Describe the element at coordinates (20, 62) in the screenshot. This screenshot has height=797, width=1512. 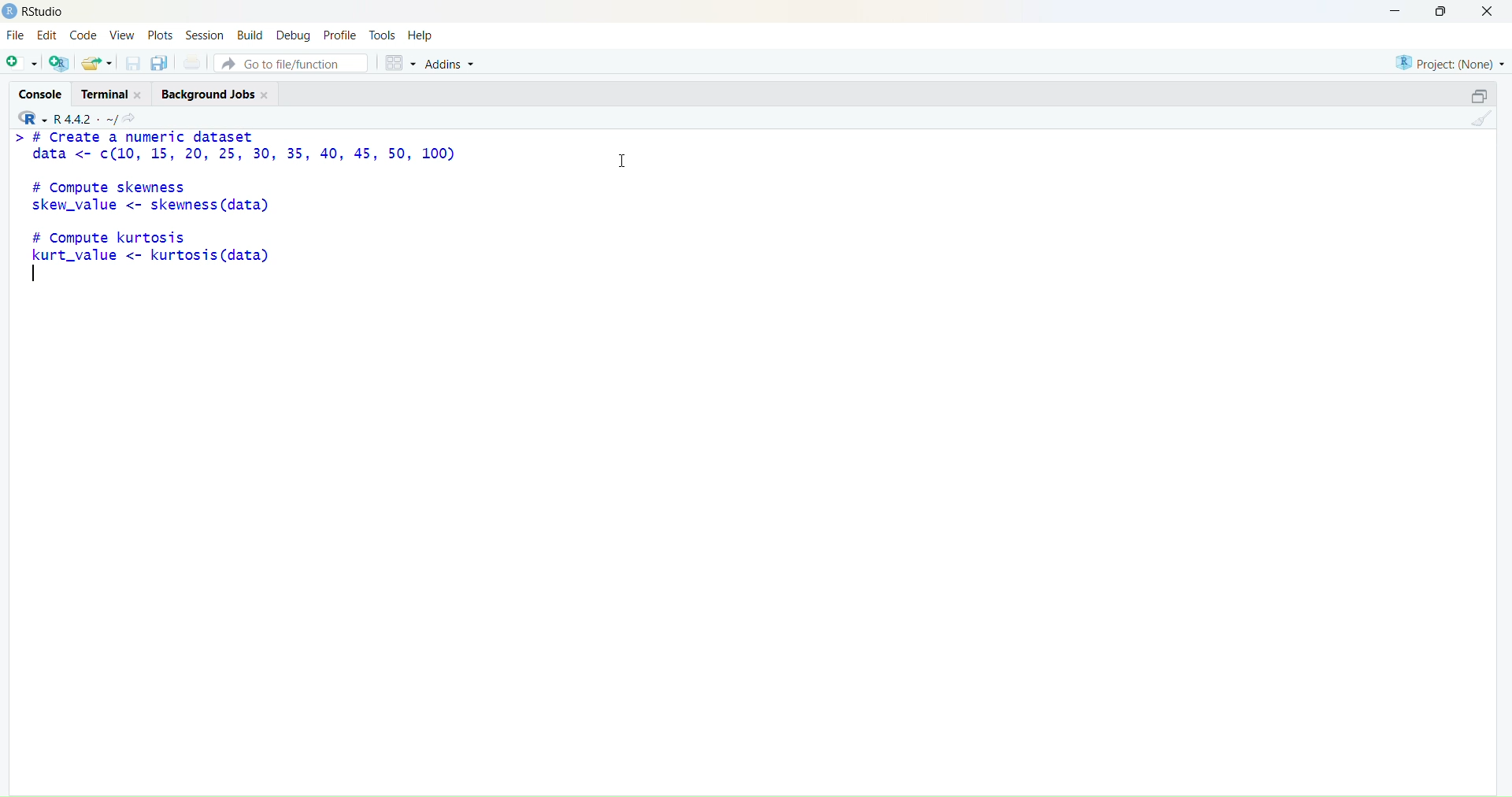
I see `New File` at that location.